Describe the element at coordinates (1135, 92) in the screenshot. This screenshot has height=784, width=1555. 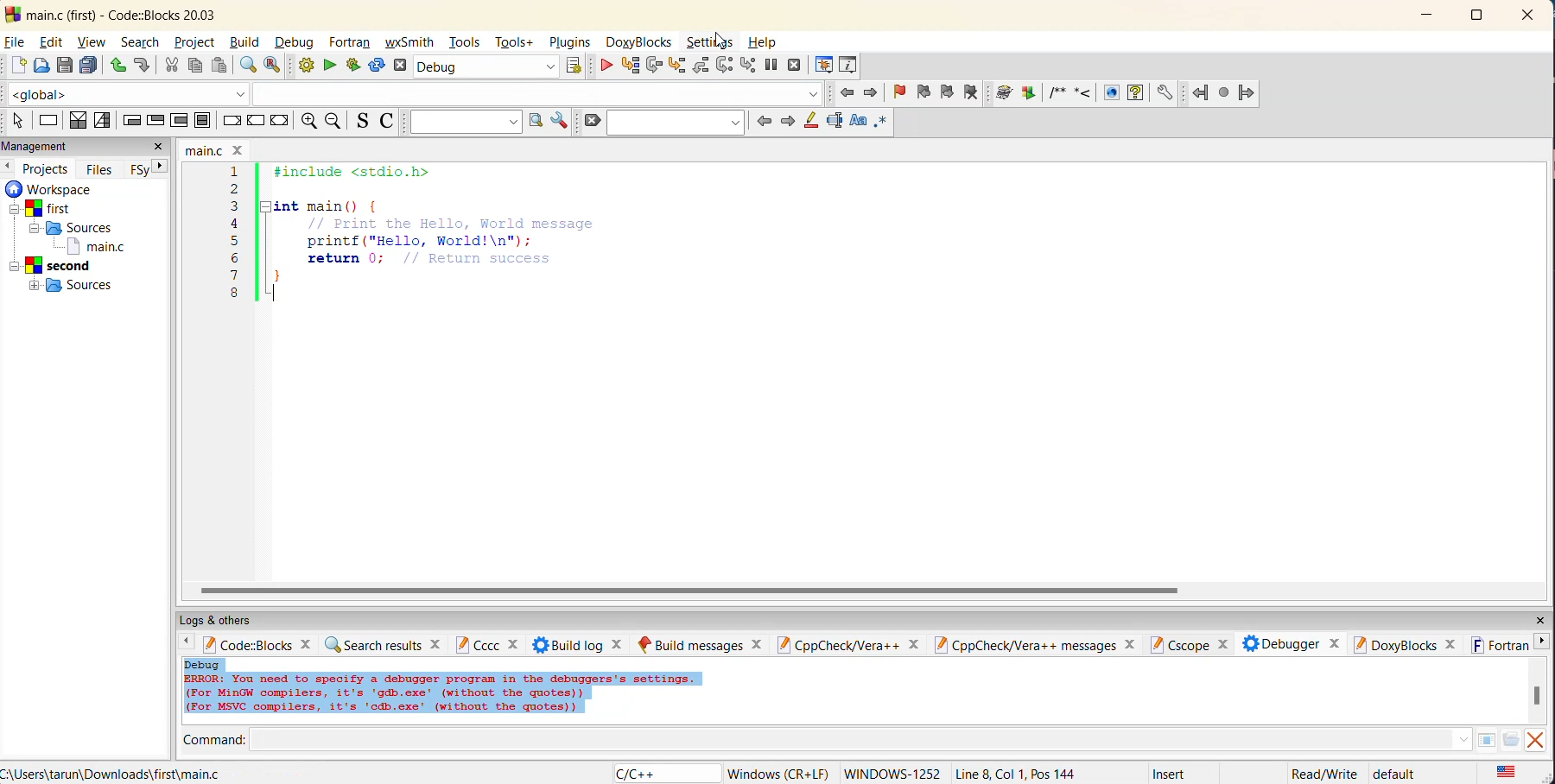
I see `HTML help` at that location.